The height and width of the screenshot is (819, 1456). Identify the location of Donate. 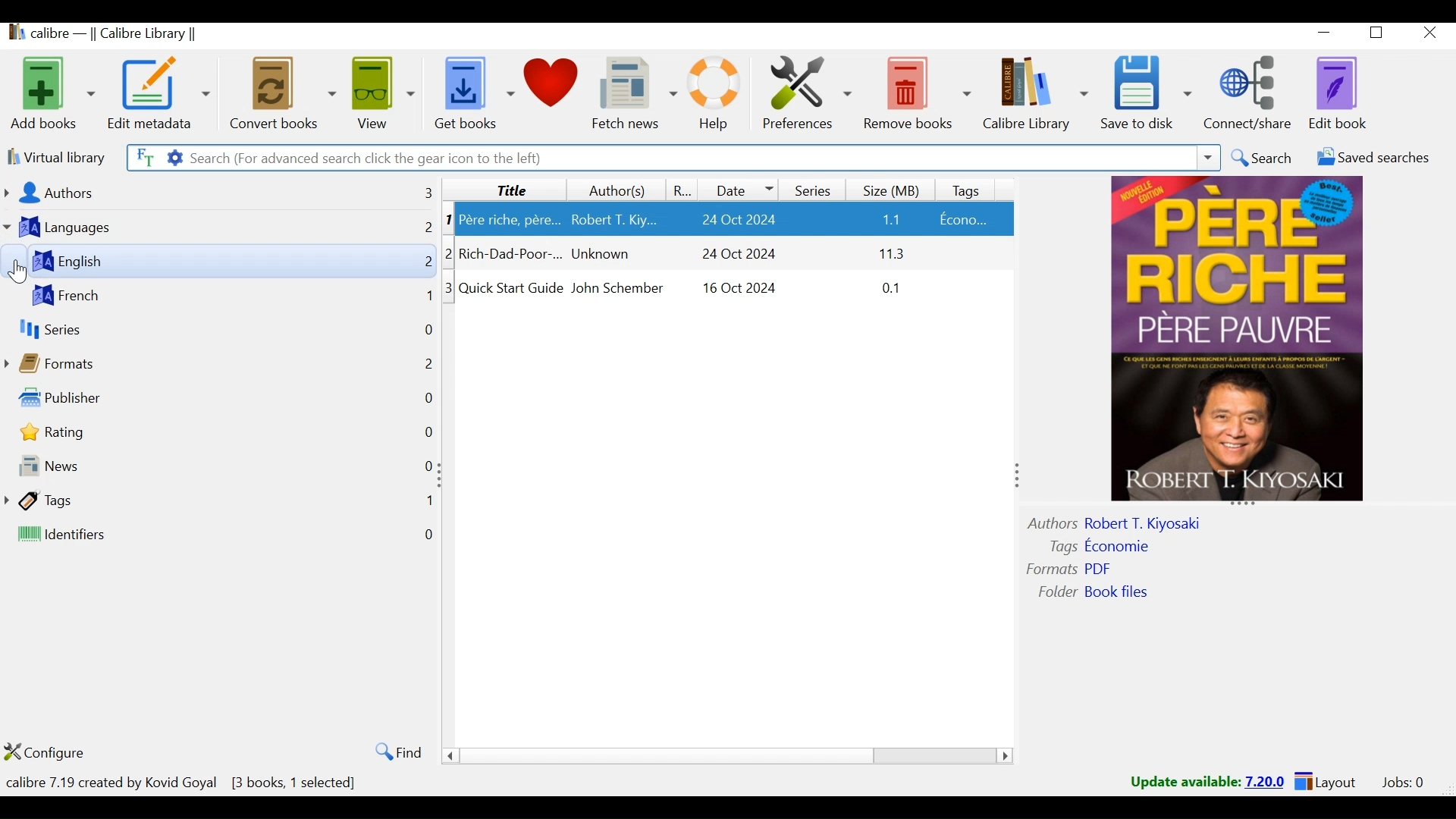
(554, 92).